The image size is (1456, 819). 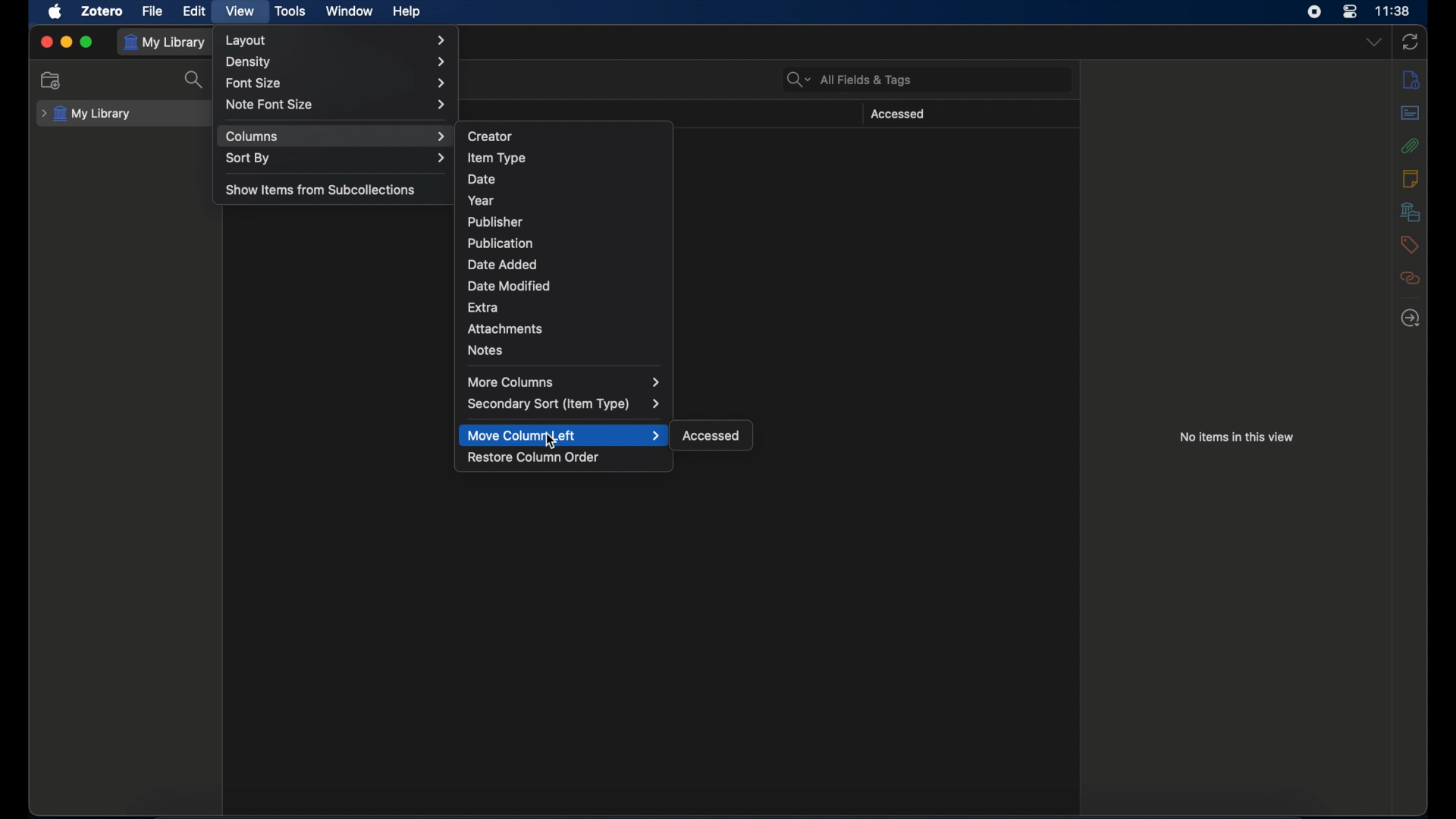 I want to click on note font size, so click(x=337, y=105).